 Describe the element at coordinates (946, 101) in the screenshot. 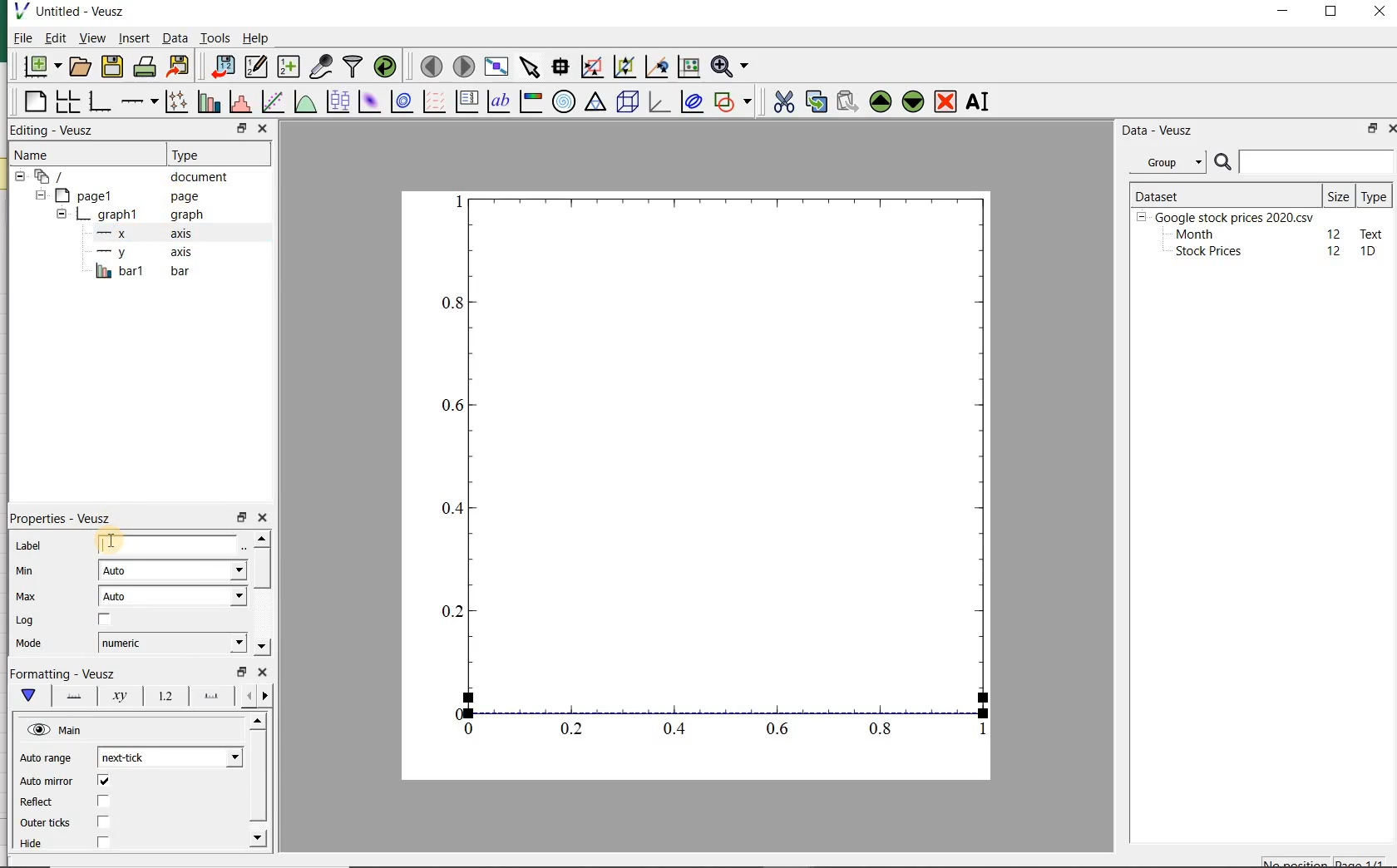

I see `remove the selected widget` at that location.